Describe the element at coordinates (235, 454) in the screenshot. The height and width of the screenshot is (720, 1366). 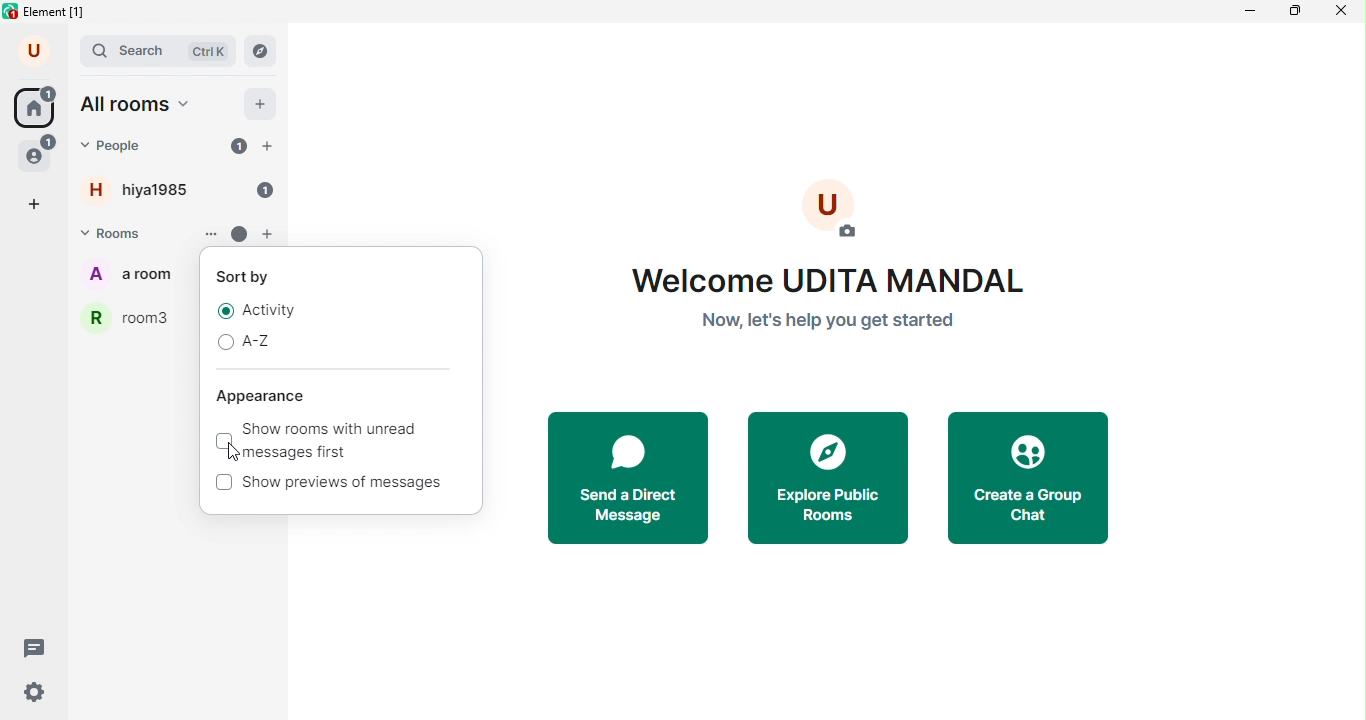
I see `cursor` at that location.